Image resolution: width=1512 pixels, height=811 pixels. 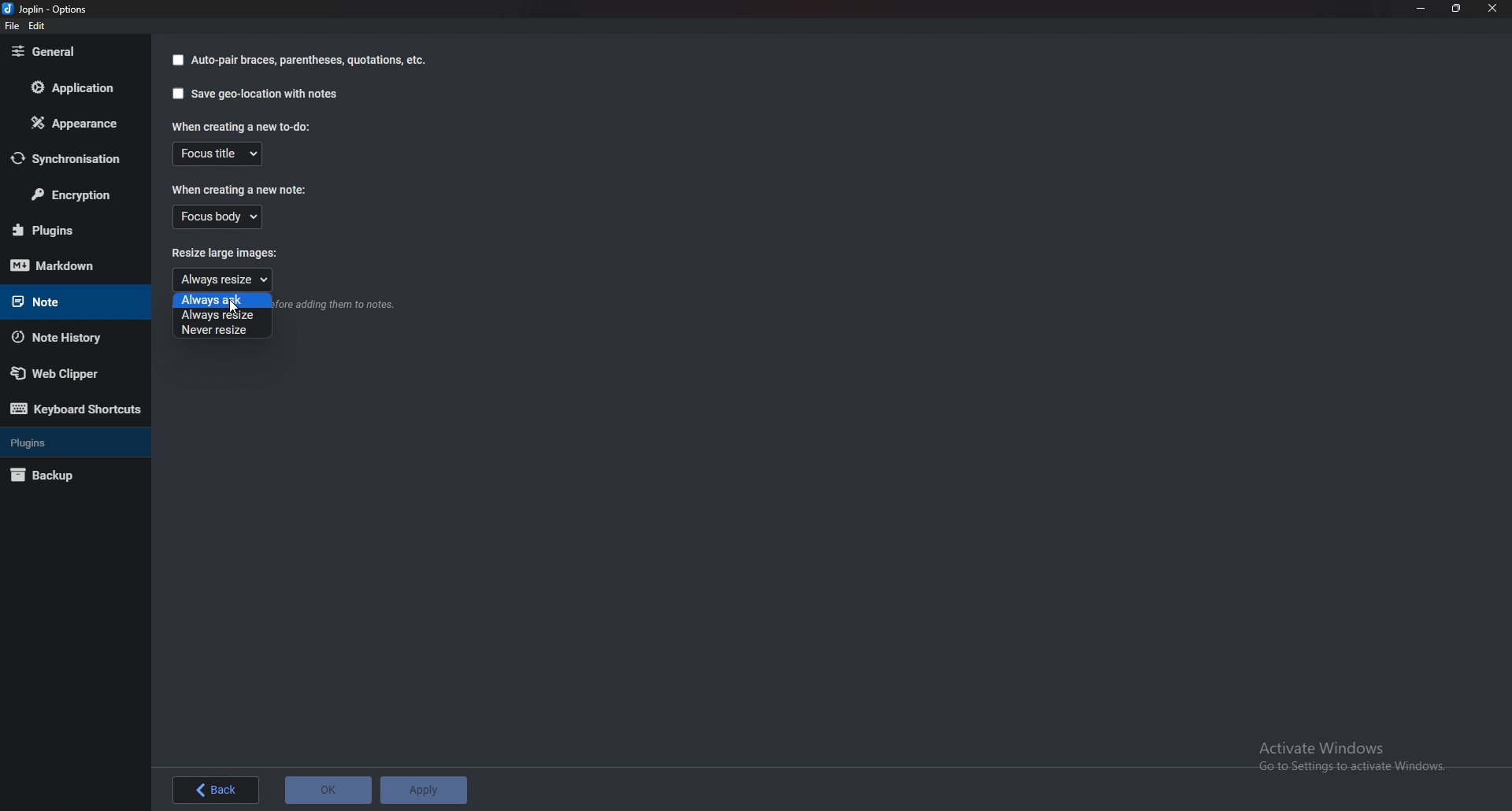 I want to click on Web clipper, so click(x=68, y=373).